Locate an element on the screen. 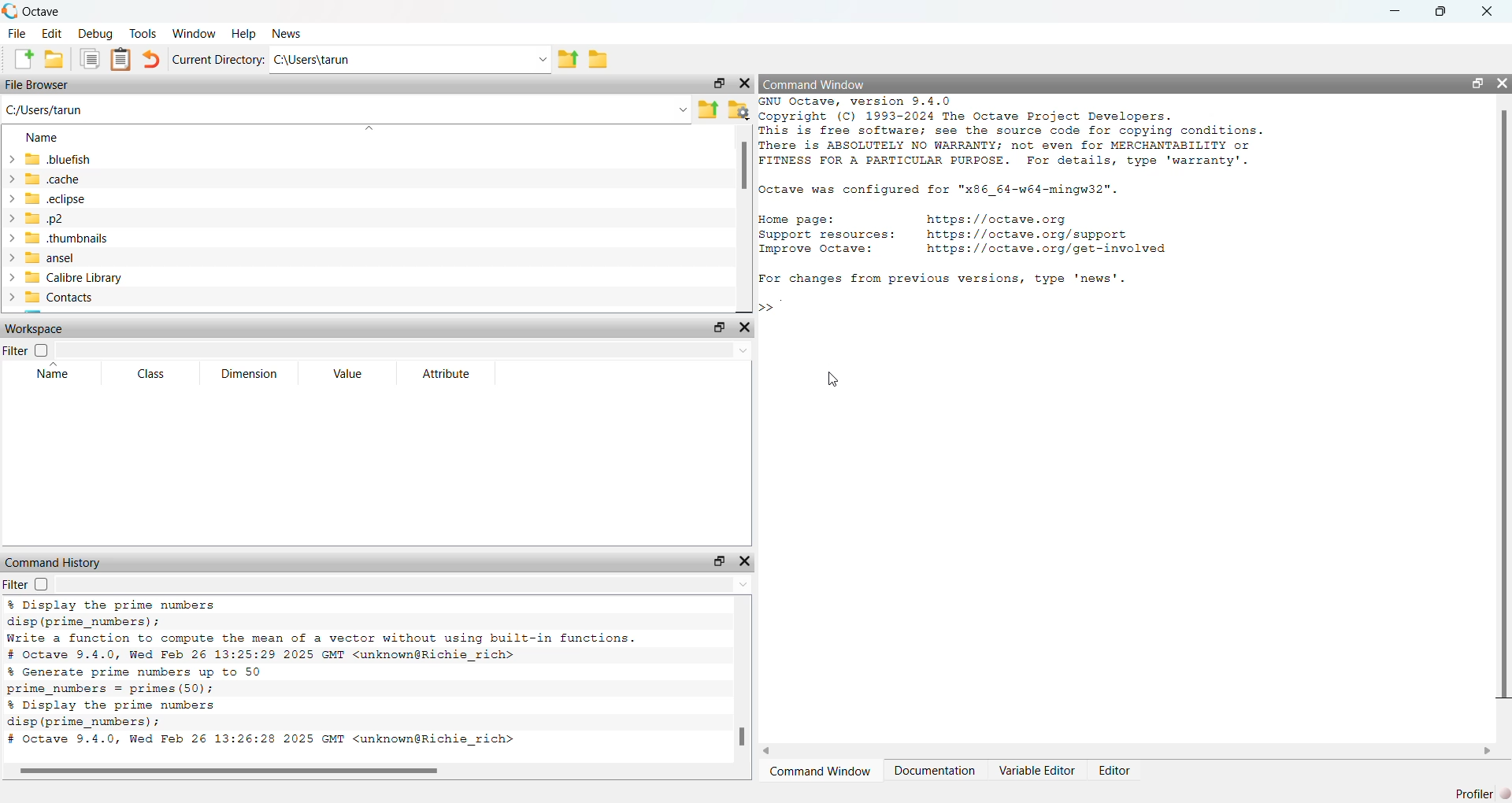 The width and height of the screenshot is (1512, 803). Drop-down  is located at coordinates (743, 350).